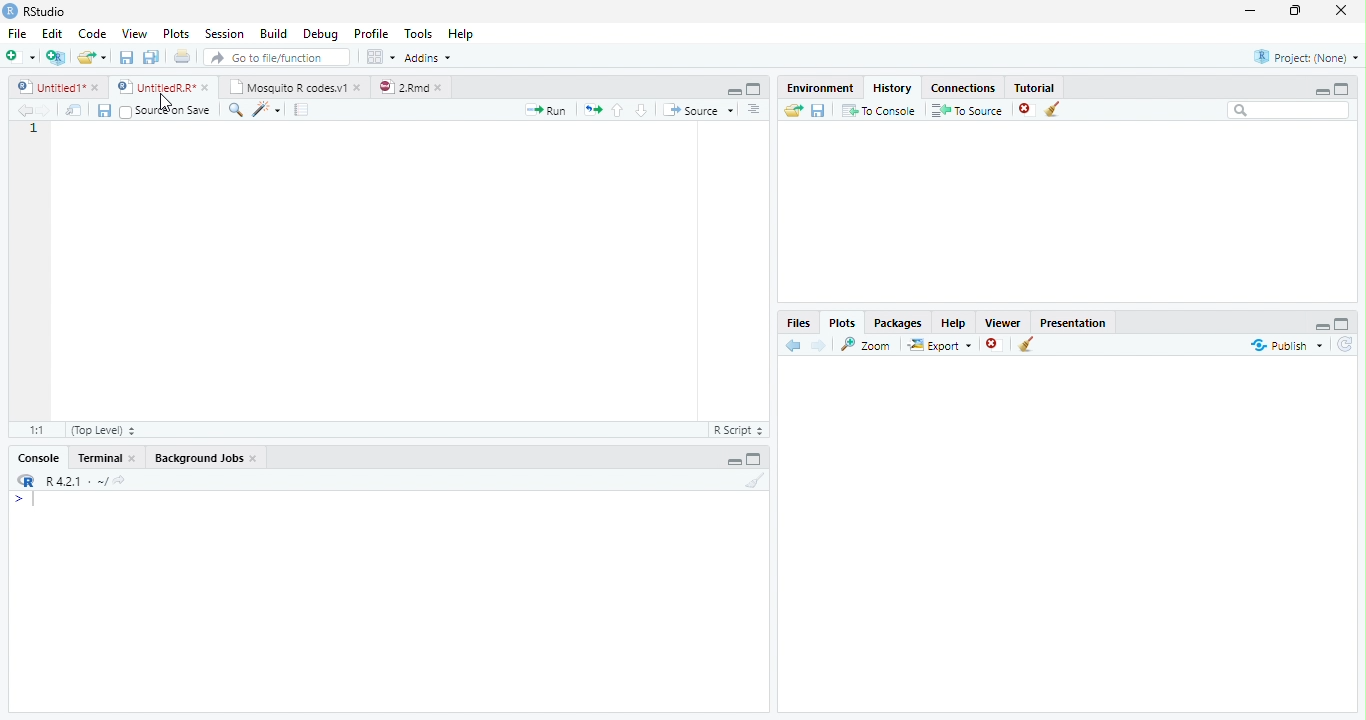  I want to click on Previous Slot, so click(794, 346).